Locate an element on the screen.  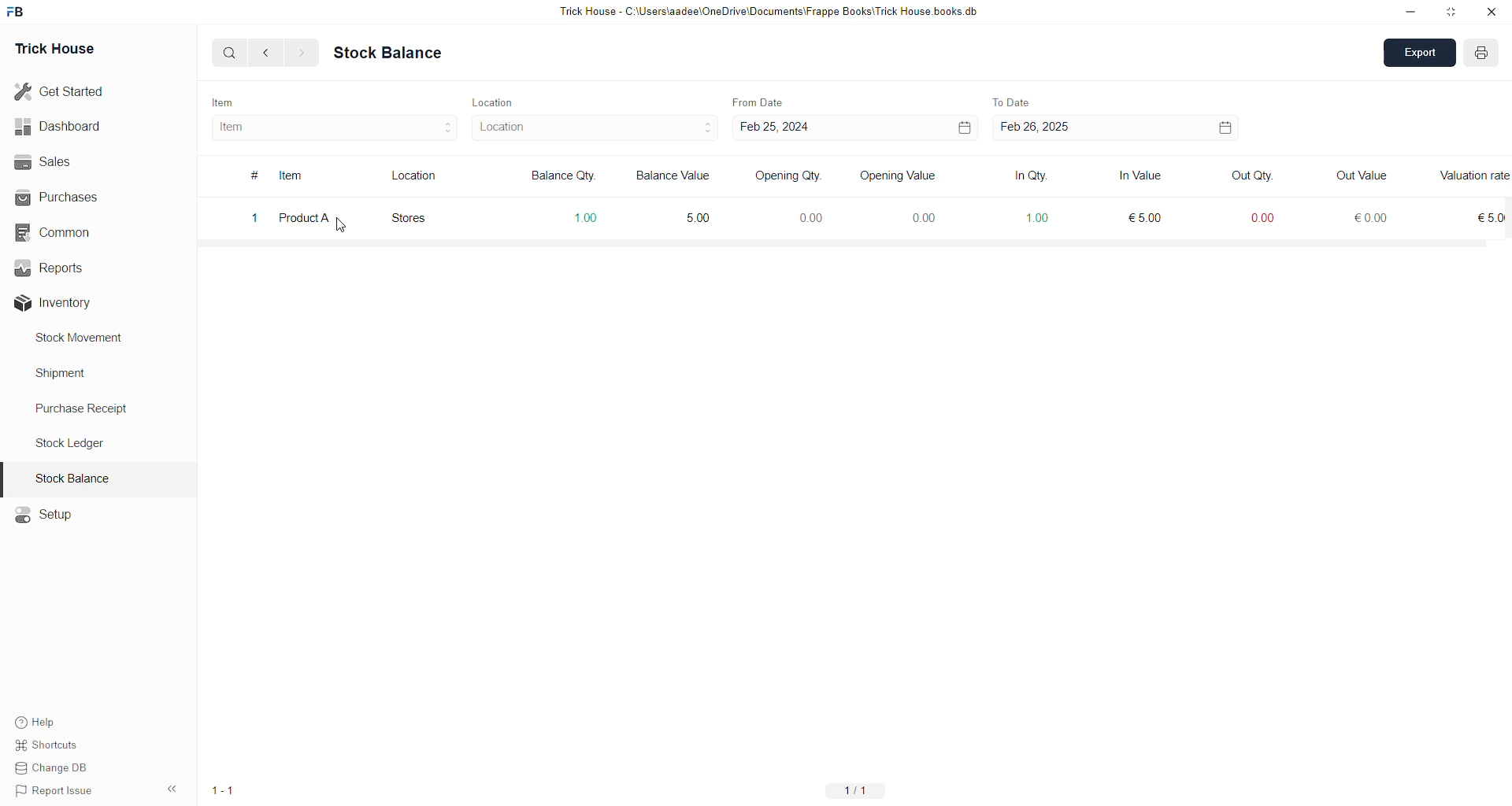
Common is located at coordinates (68, 235).